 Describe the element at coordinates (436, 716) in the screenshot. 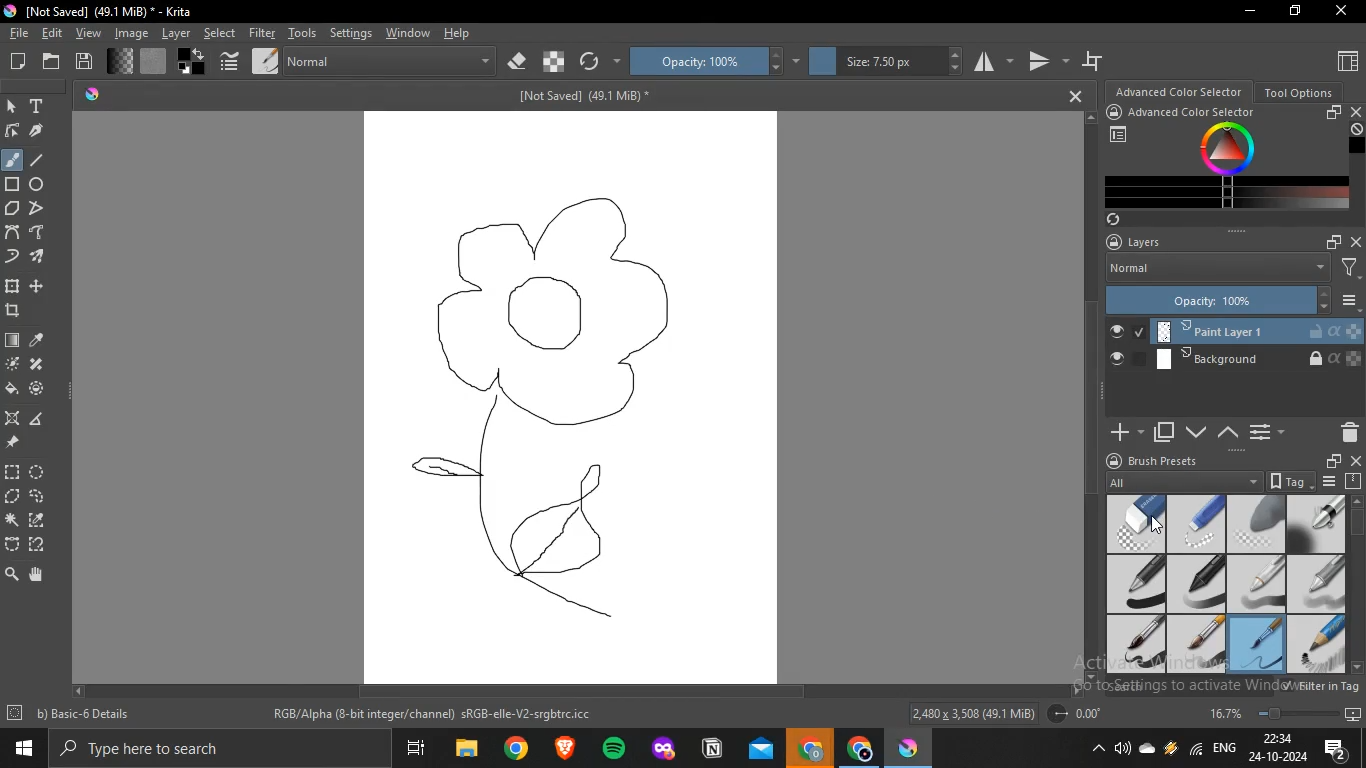

I see `RGB/Alpha (8-bit integer/channel) sRGB-elle-V2-srgbtrc.icc` at that location.